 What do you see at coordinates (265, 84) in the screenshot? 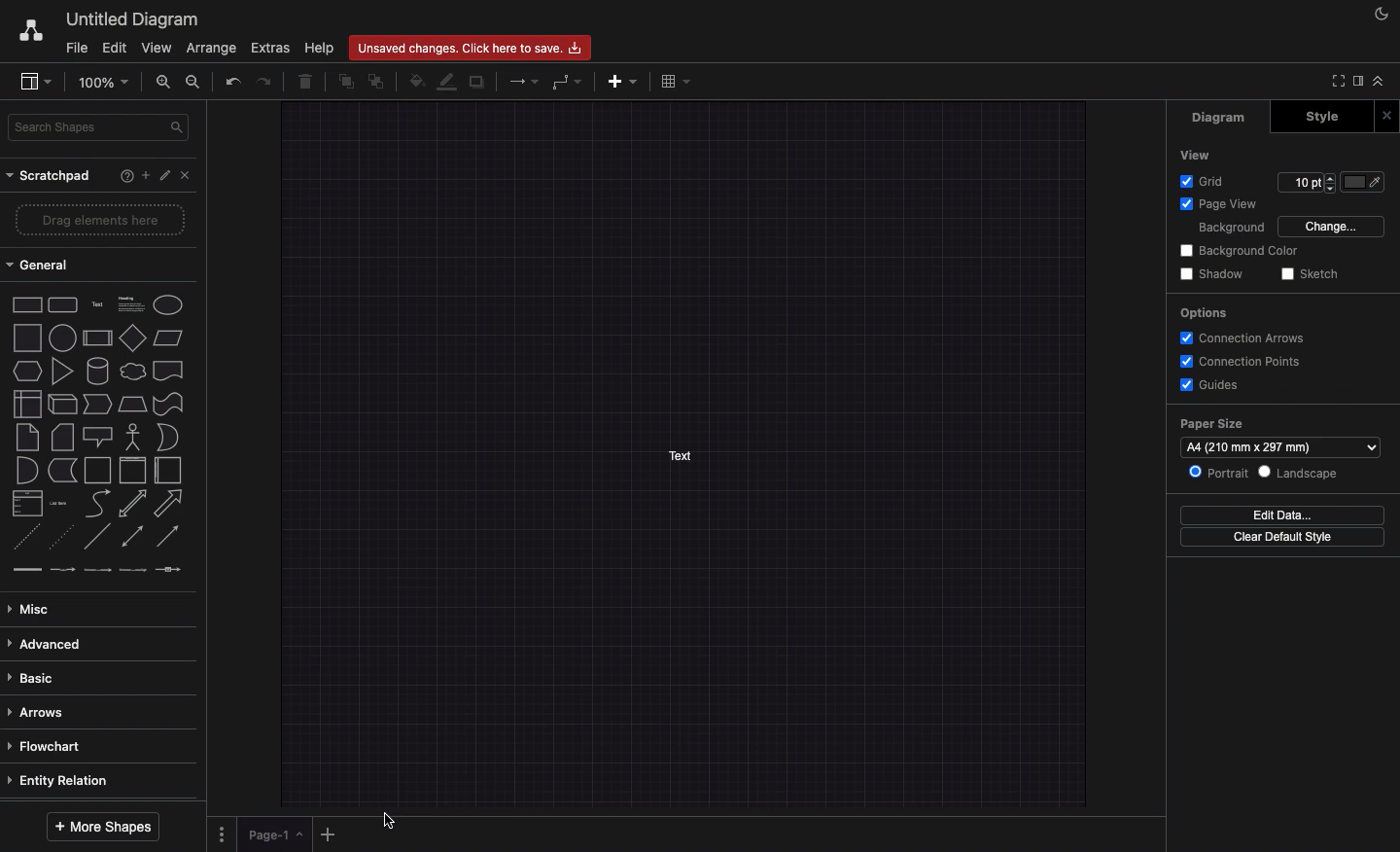
I see `Redo` at bounding box center [265, 84].